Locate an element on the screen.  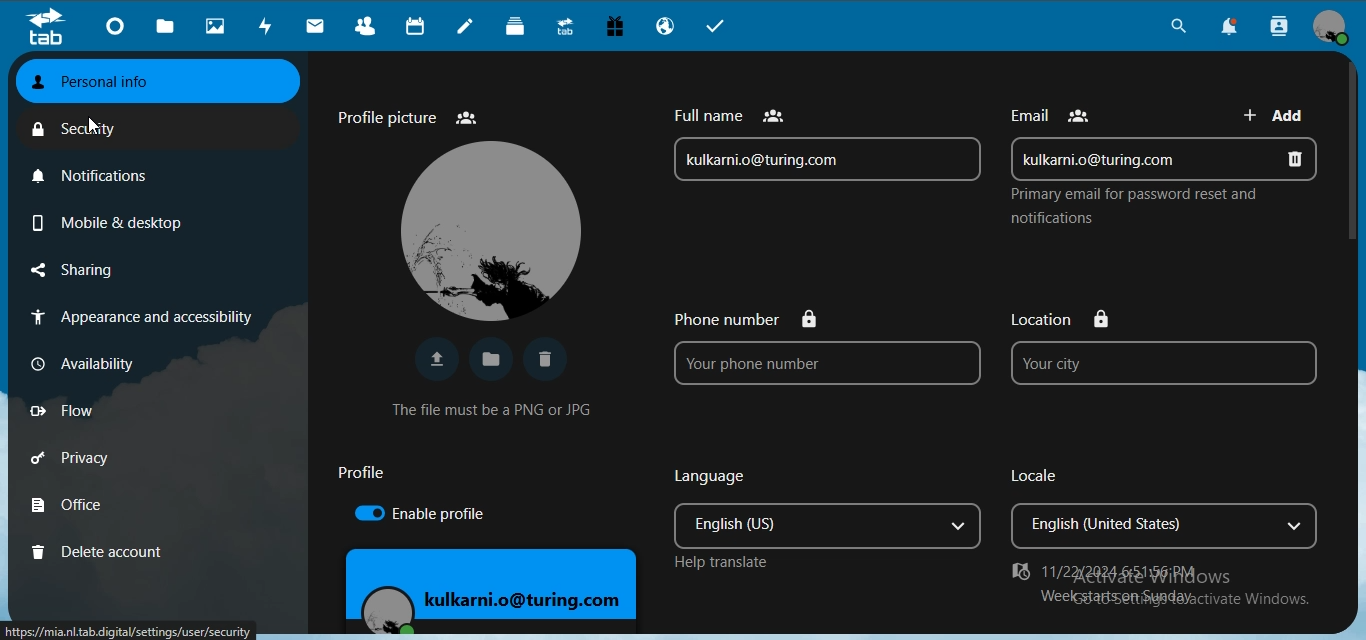
web address is located at coordinates (131, 632).